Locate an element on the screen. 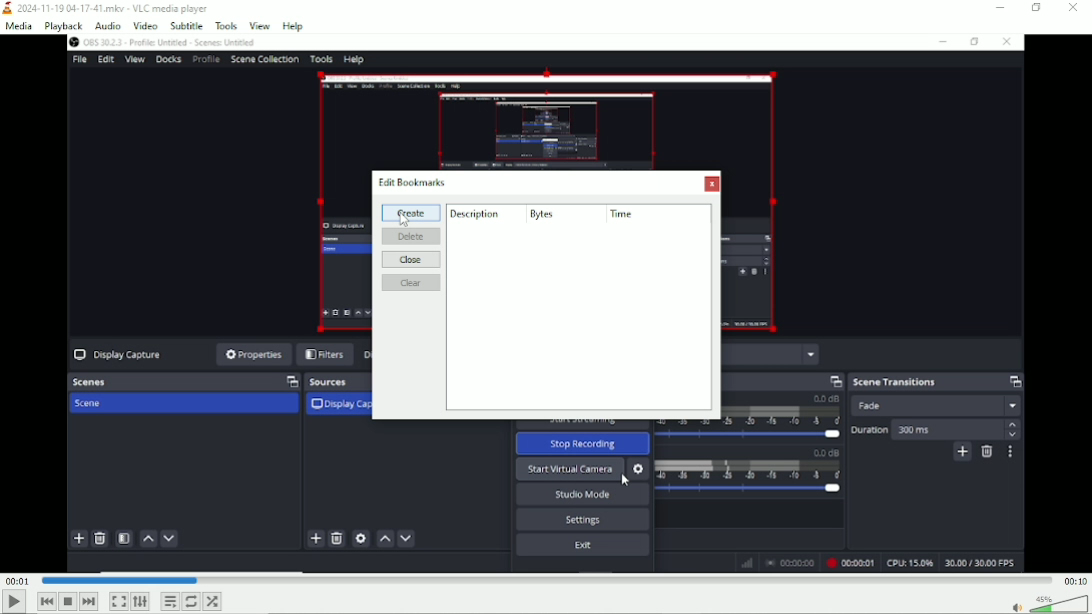 The height and width of the screenshot is (614, 1092). Play is located at coordinates (14, 602).